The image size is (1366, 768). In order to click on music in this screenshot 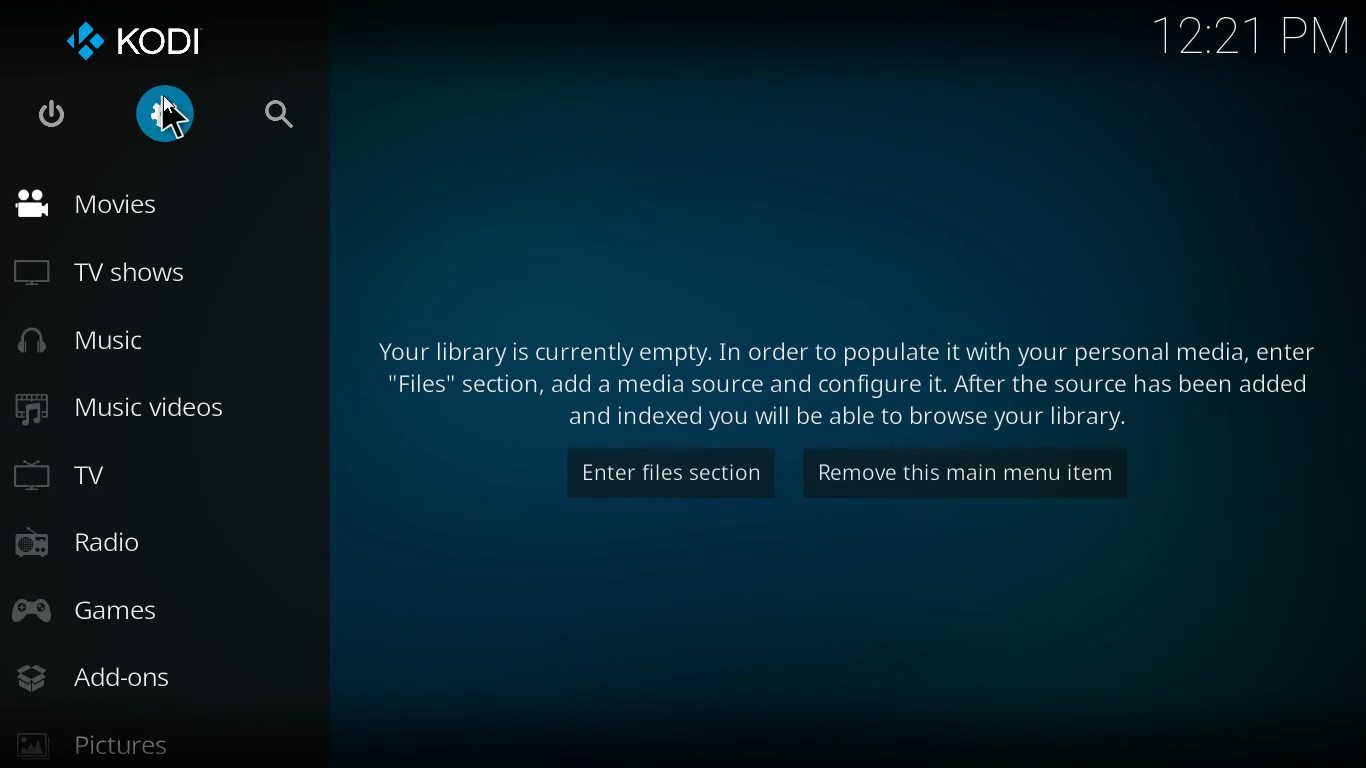, I will do `click(166, 345)`.